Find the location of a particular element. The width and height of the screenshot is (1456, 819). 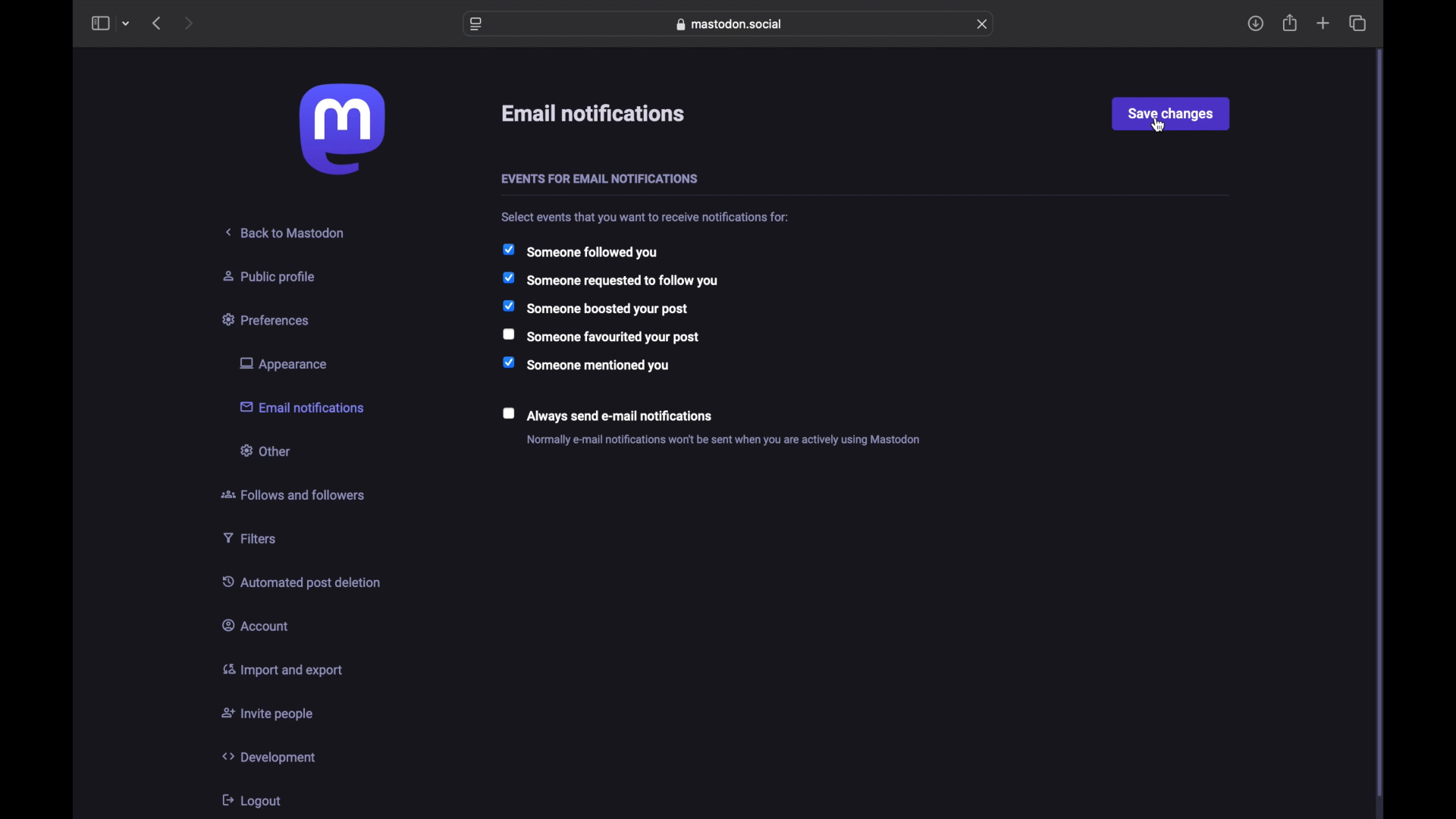

show tab overview is located at coordinates (1357, 23).